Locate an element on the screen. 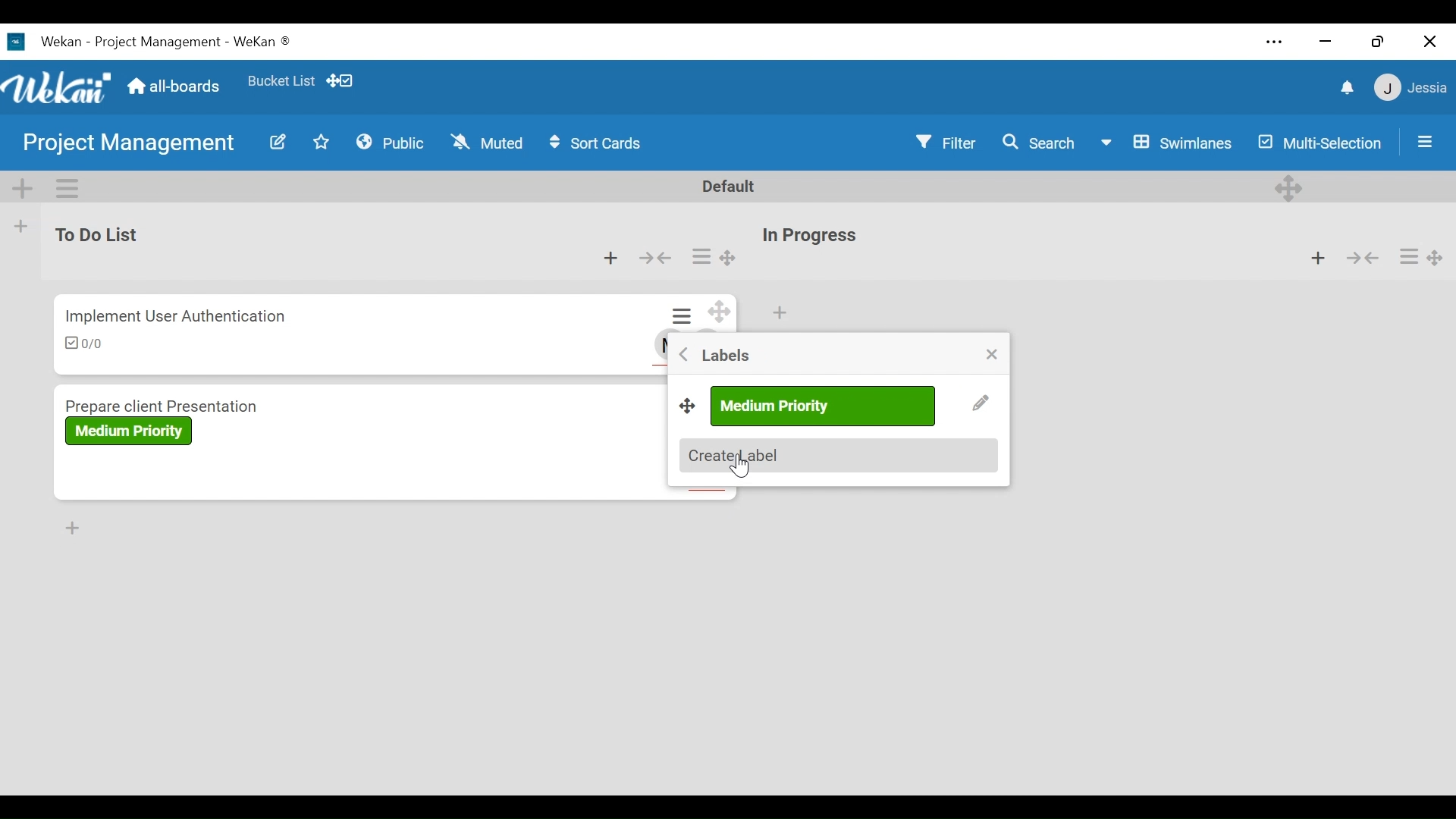 This screenshot has height=819, width=1456. List Title is located at coordinates (808, 237).